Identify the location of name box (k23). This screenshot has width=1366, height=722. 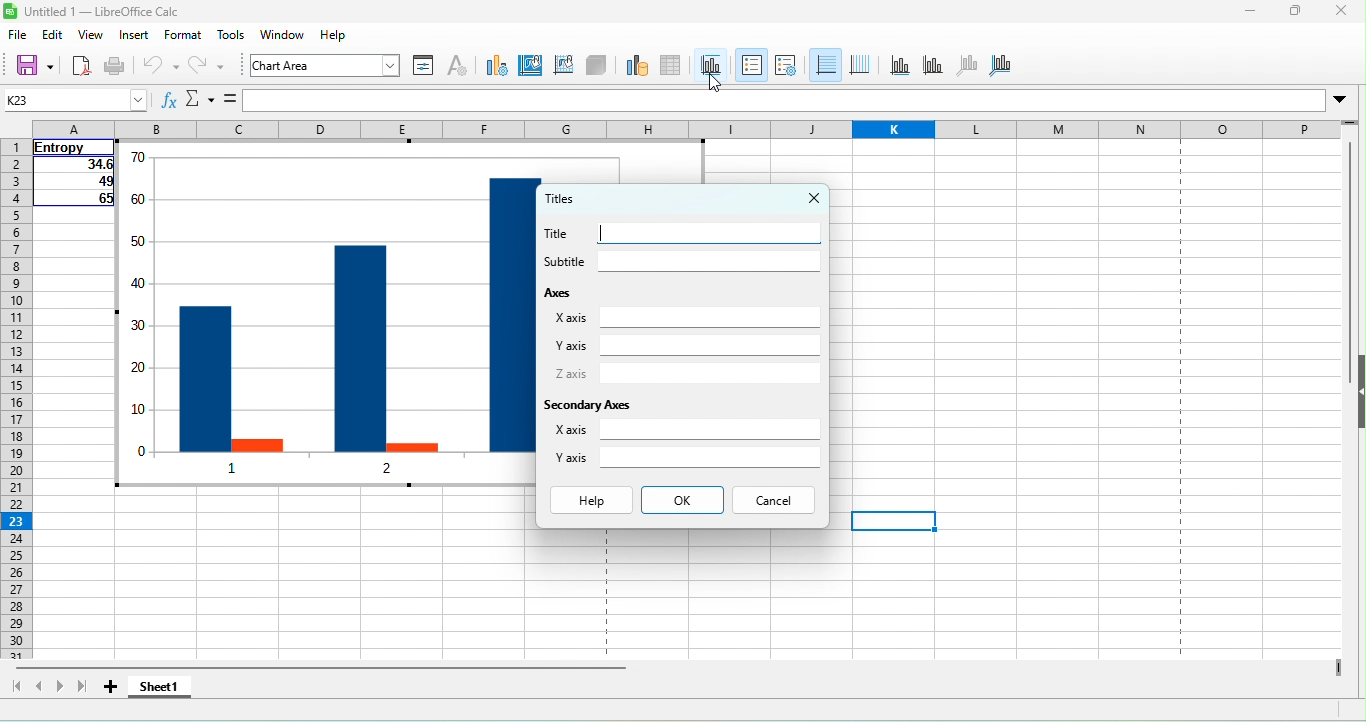
(74, 99).